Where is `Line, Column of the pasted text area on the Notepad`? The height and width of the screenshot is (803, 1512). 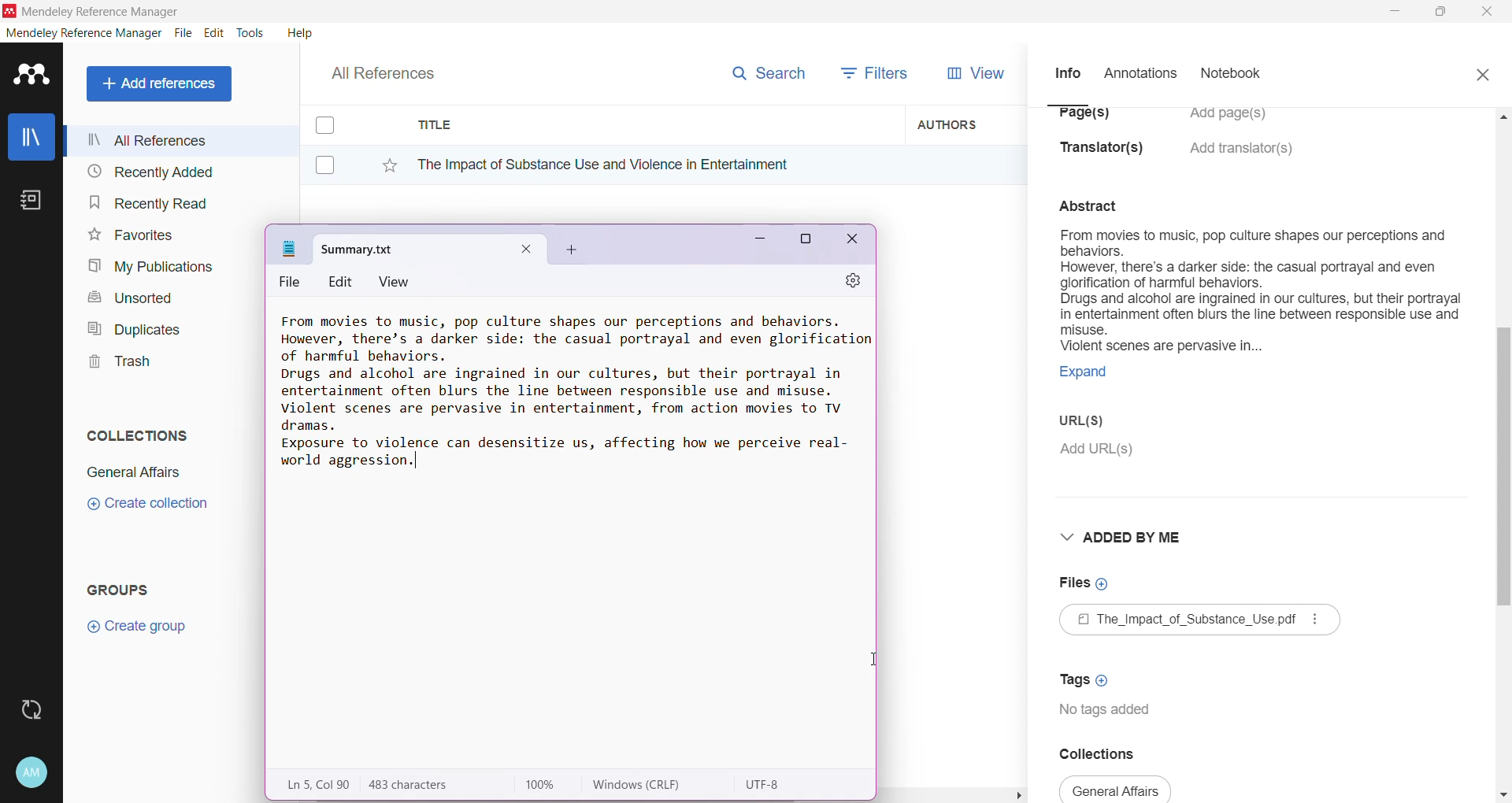
Line, Column of the pasted text area on the Notepad is located at coordinates (317, 784).